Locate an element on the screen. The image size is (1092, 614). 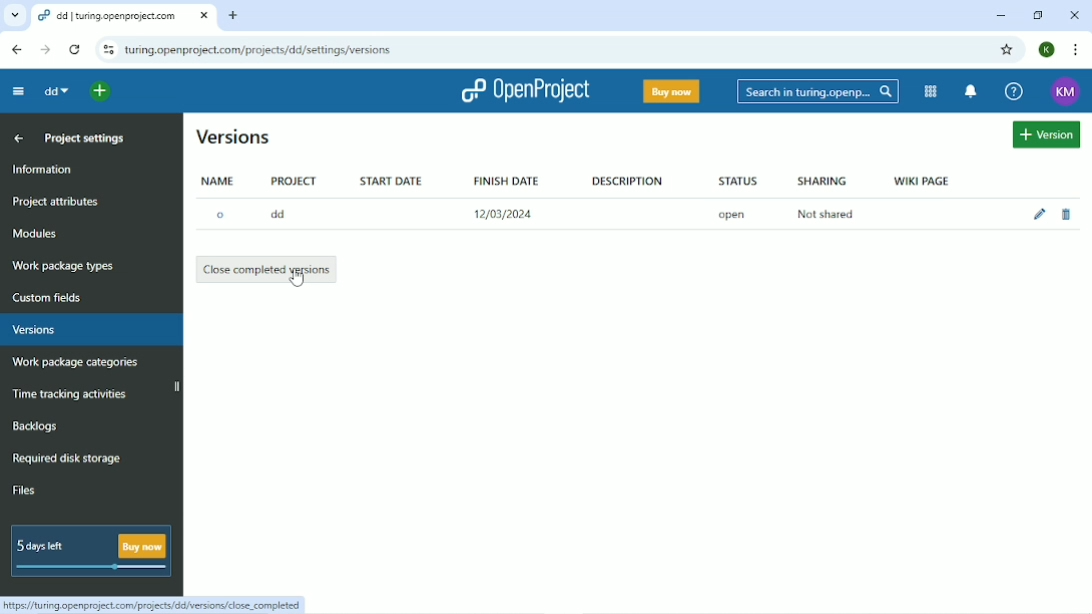
Sharing is located at coordinates (821, 181).